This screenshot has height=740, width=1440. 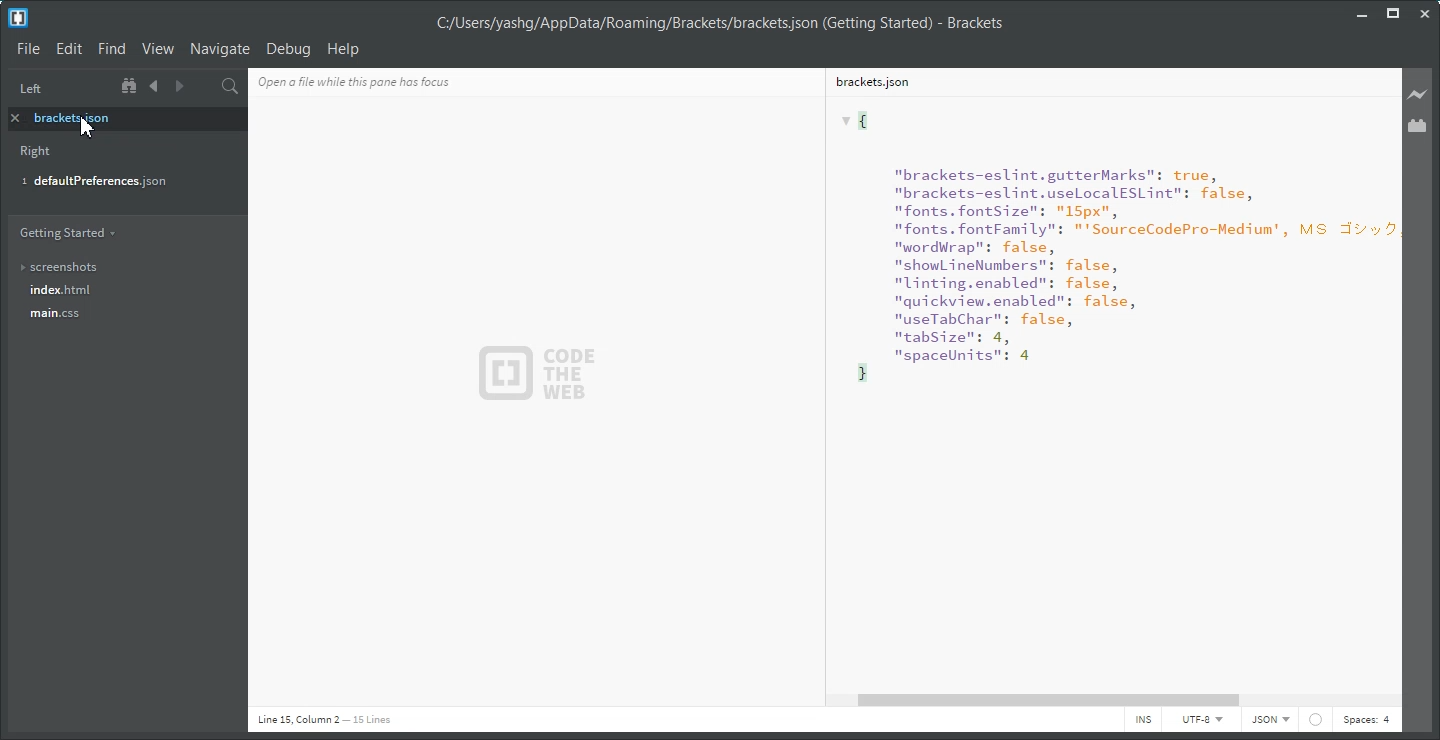 What do you see at coordinates (1366, 721) in the screenshot?
I see `Spaces: 4` at bounding box center [1366, 721].